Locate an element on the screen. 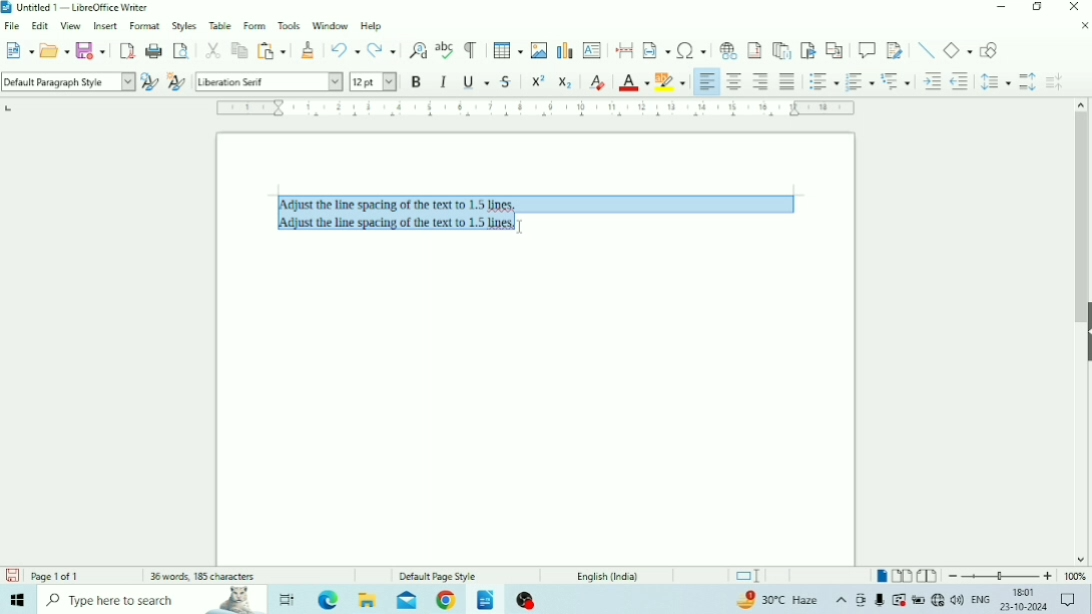 The image size is (1092, 614). Help is located at coordinates (372, 26).